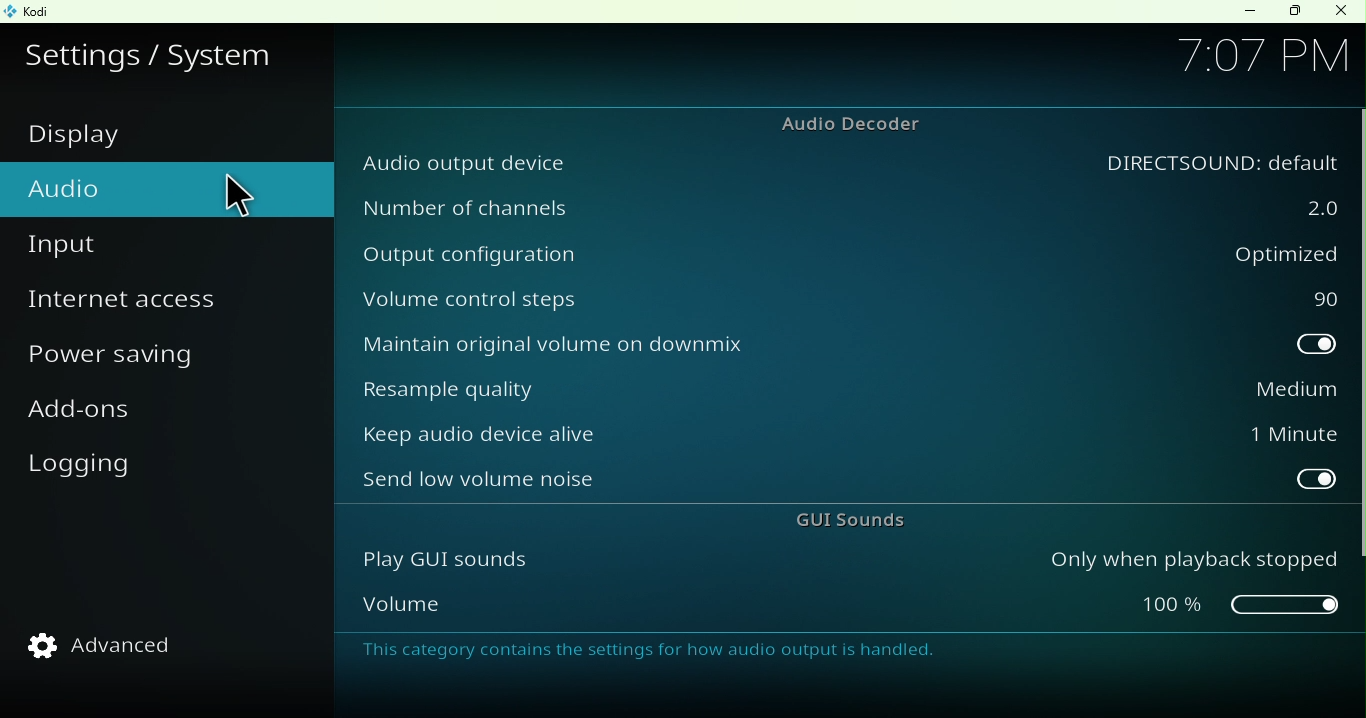 The width and height of the screenshot is (1366, 718). Describe the element at coordinates (235, 200) in the screenshot. I see `cursor` at that location.